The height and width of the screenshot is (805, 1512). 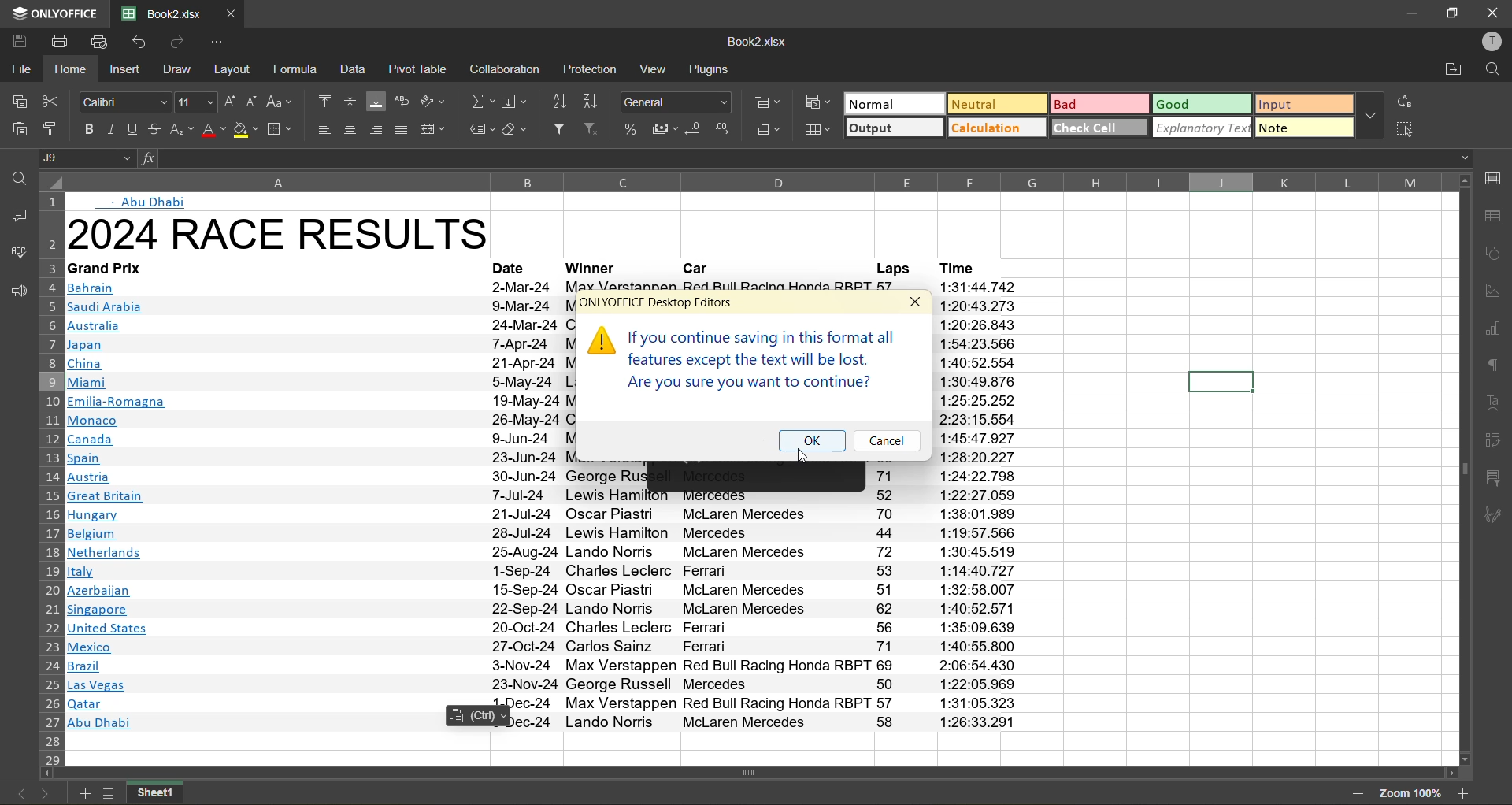 I want to click on sort ascending, so click(x=556, y=100).